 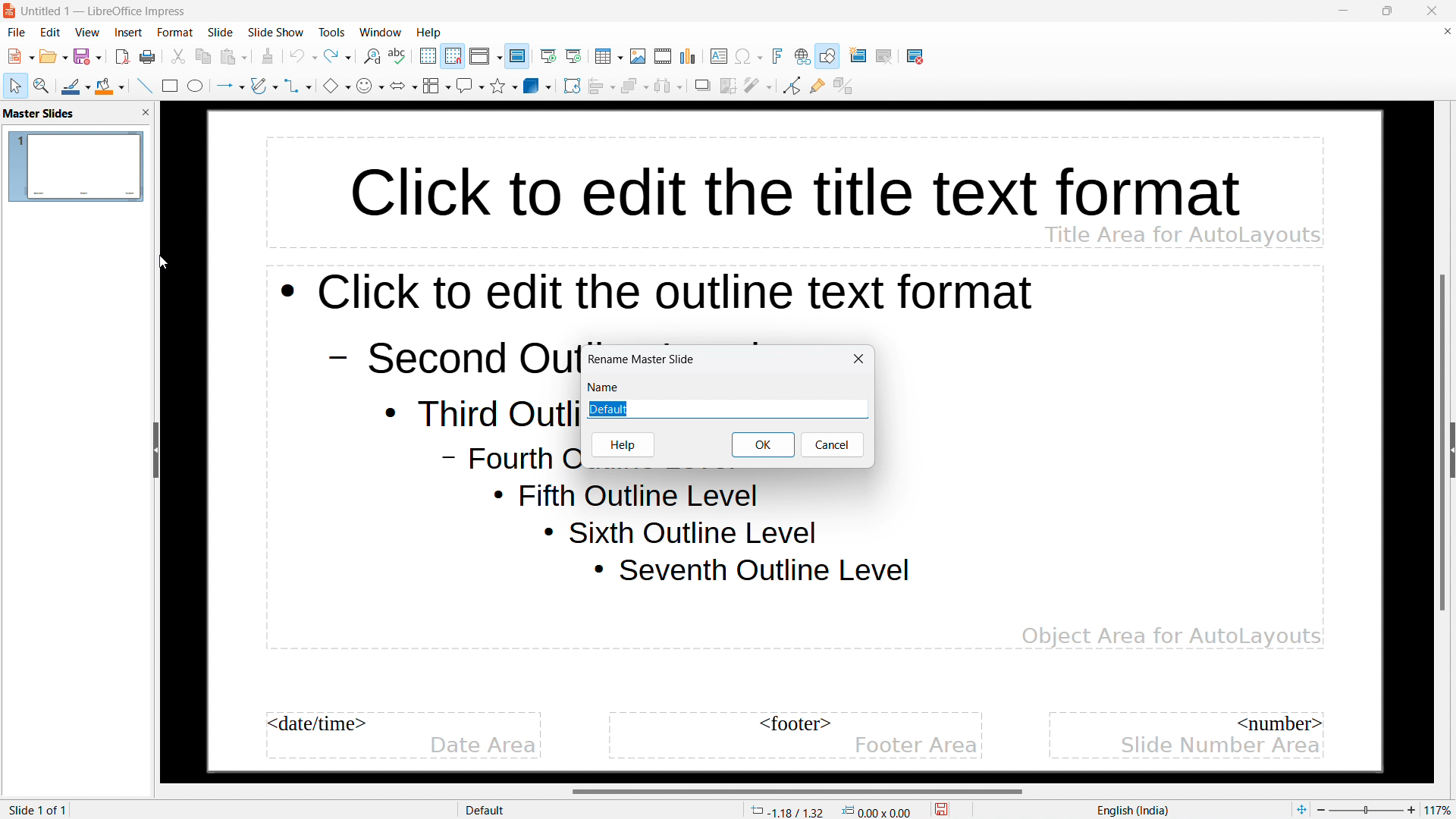 What do you see at coordinates (303, 56) in the screenshot?
I see `undo` at bounding box center [303, 56].